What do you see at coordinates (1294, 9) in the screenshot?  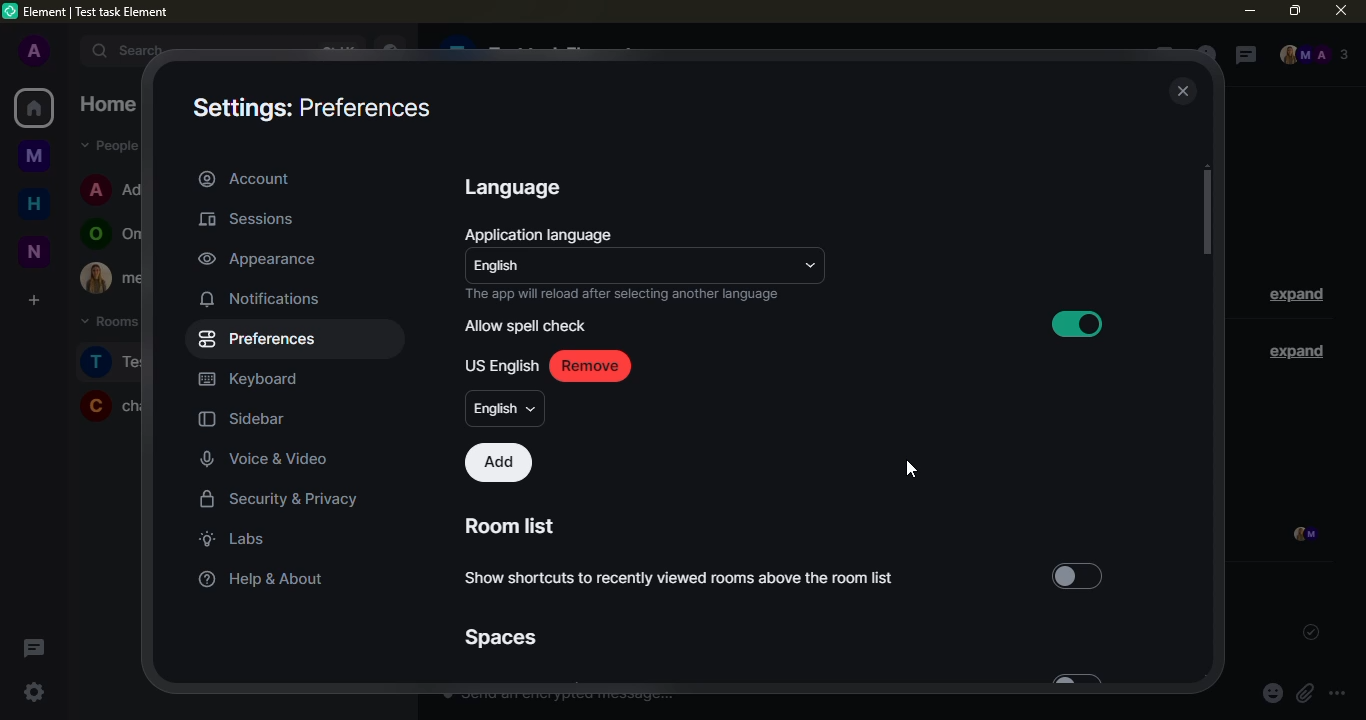 I see `maximize` at bounding box center [1294, 9].